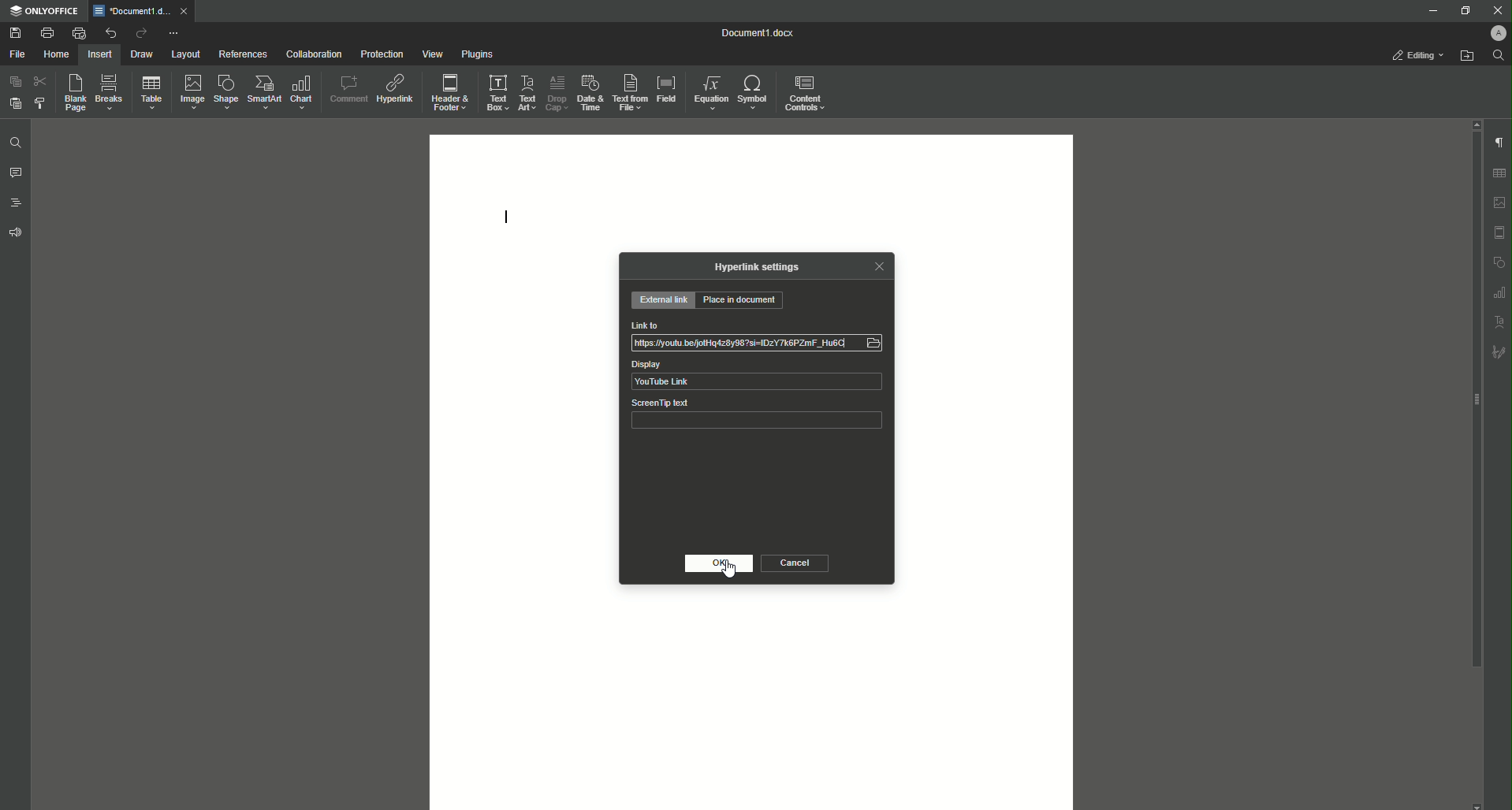 This screenshot has width=1512, height=810. Describe the element at coordinates (808, 93) in the screenshot. I see `Content Controls` at that location.